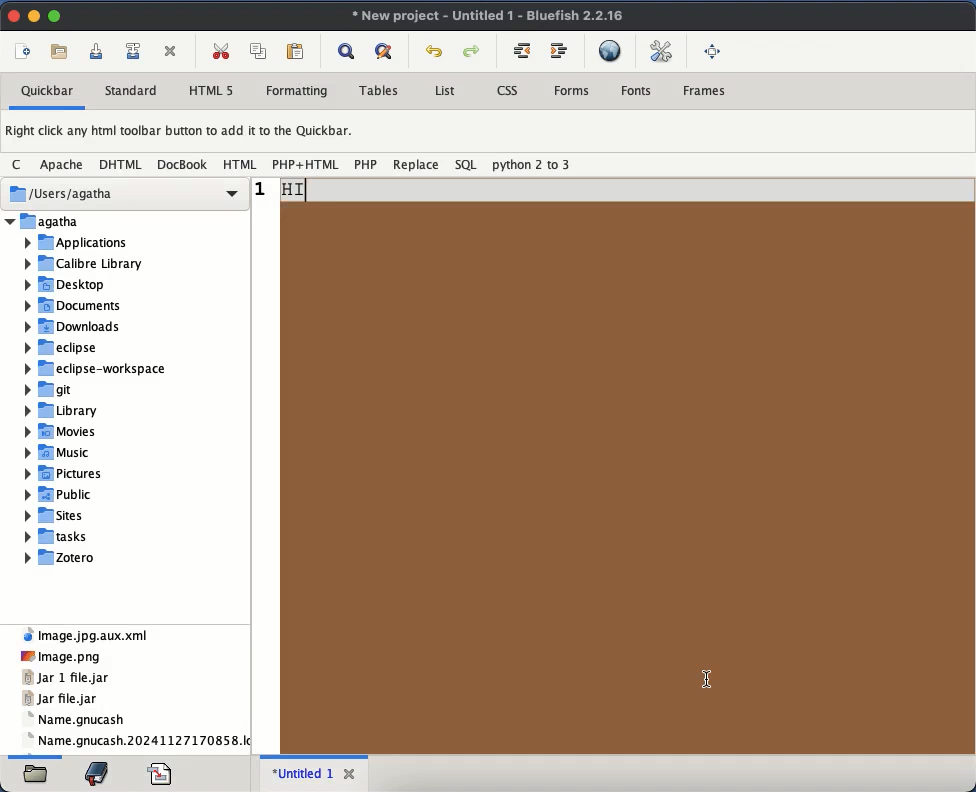  I want to click on file, so click(37, 776).